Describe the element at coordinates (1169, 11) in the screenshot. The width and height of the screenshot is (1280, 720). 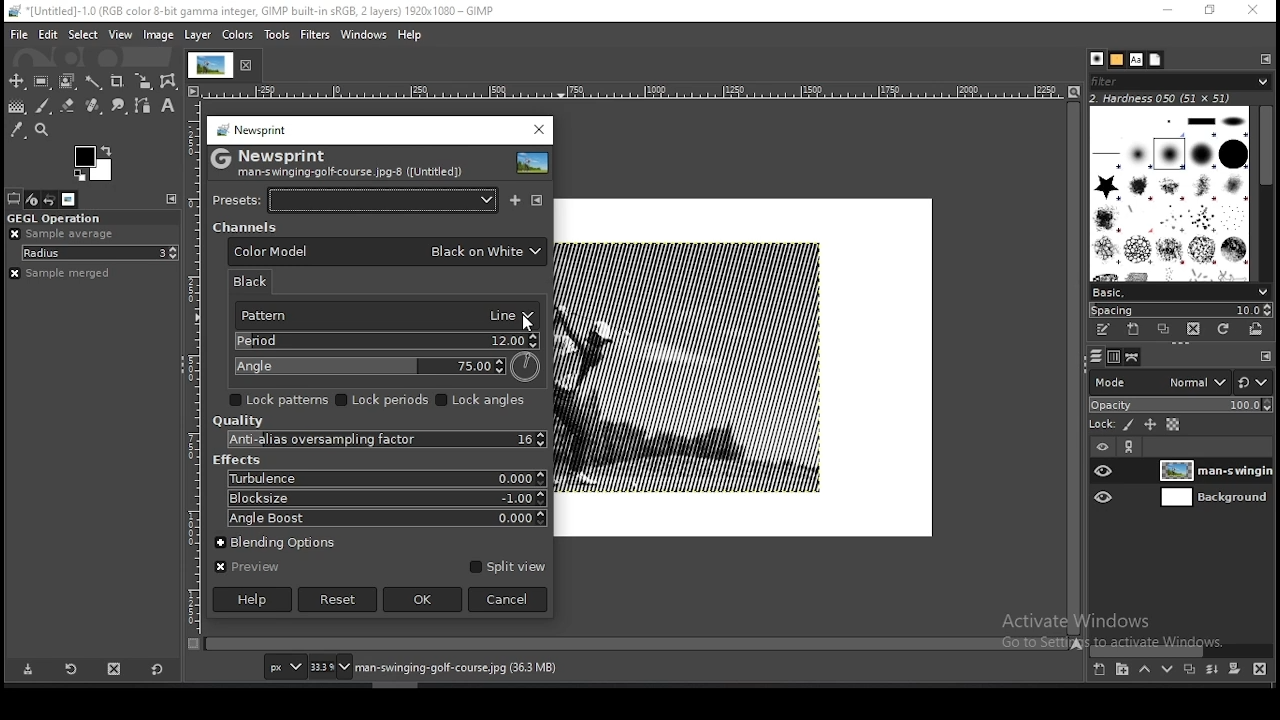
I see `minimize` at that location.